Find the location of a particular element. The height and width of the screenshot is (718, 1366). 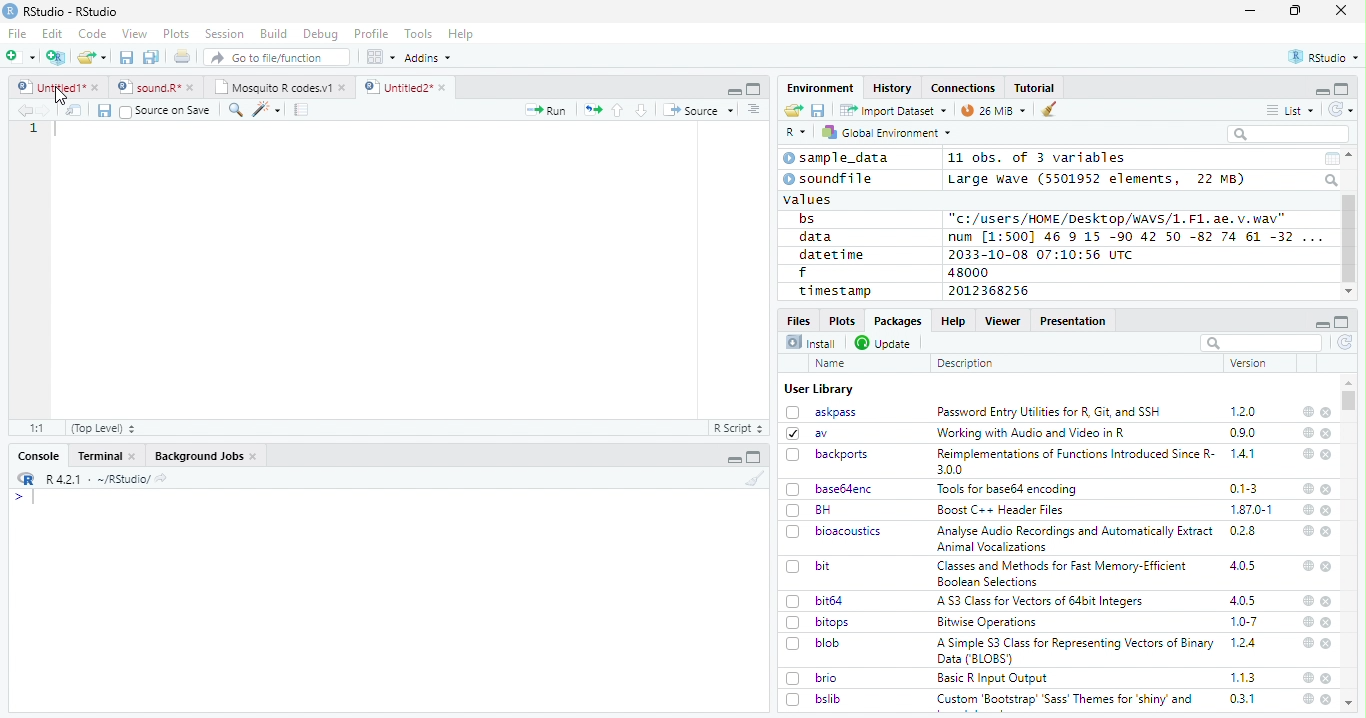

BH is located at coordinates (811, 510).